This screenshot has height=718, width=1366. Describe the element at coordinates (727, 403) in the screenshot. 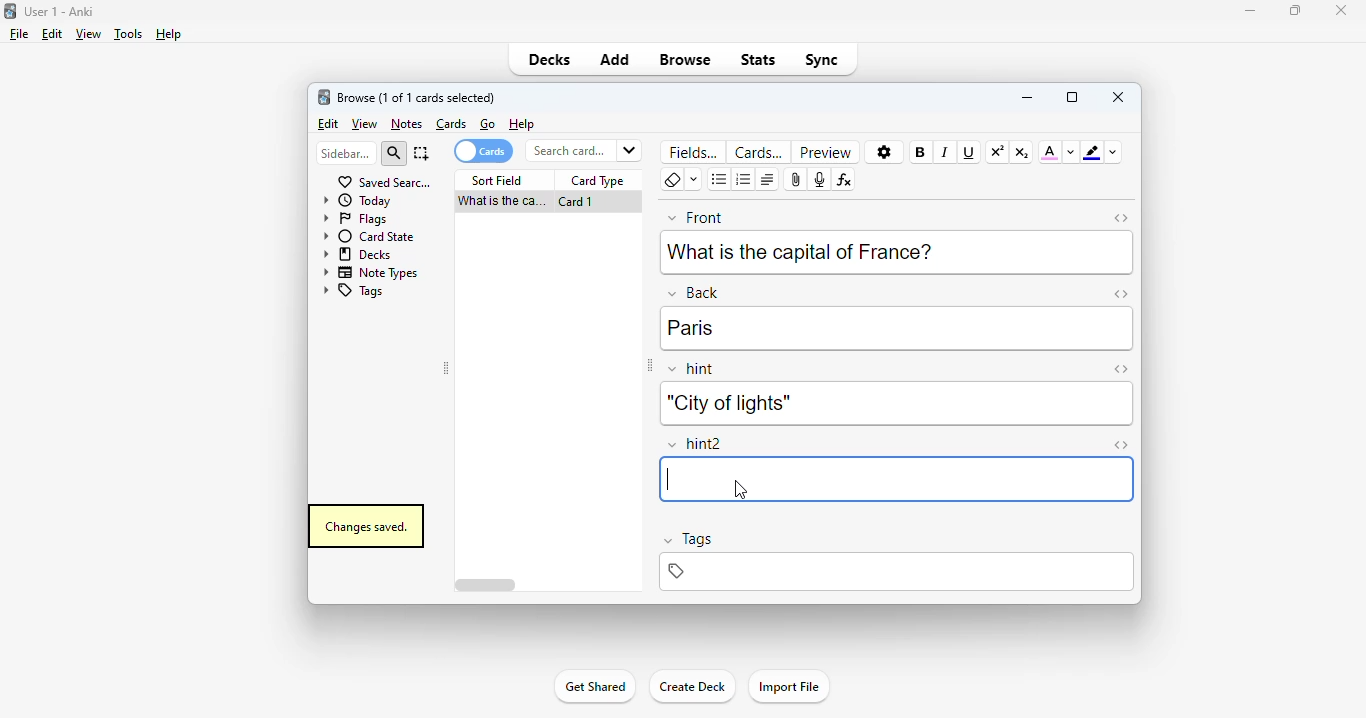

I see `city of lights` at that location.